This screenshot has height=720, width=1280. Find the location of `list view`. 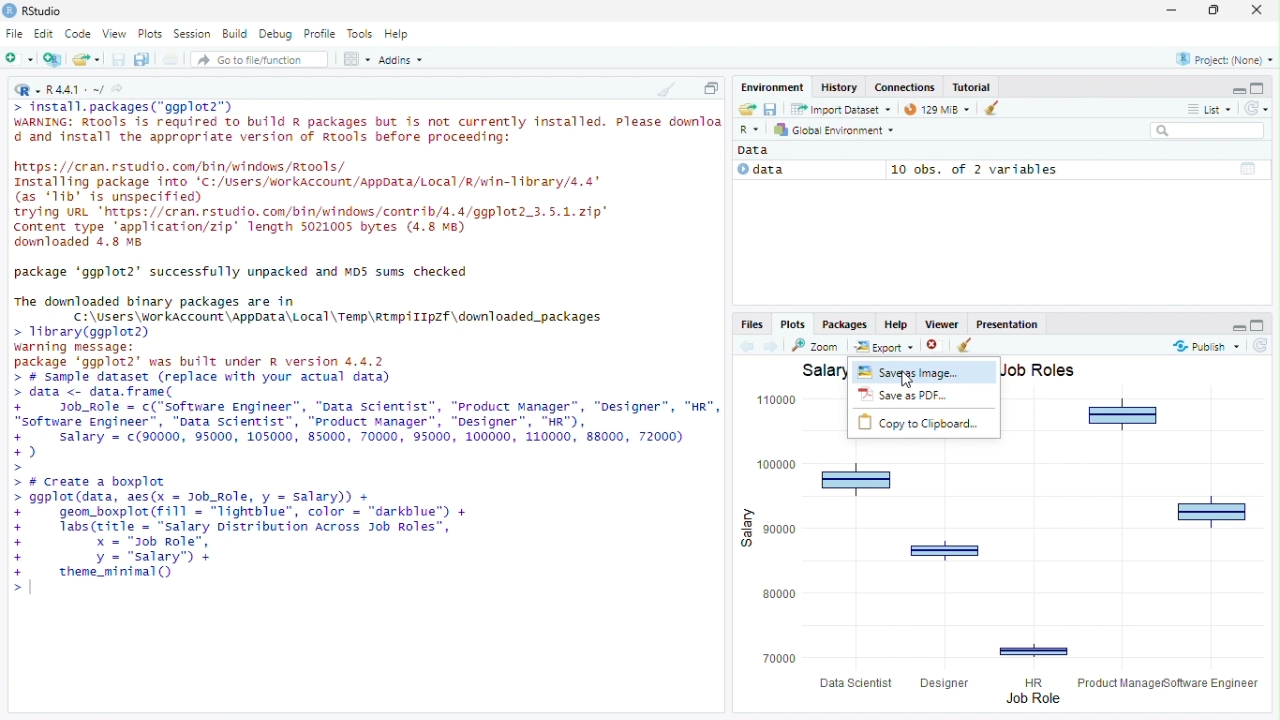

list view is located at coordinates (1208, 109).